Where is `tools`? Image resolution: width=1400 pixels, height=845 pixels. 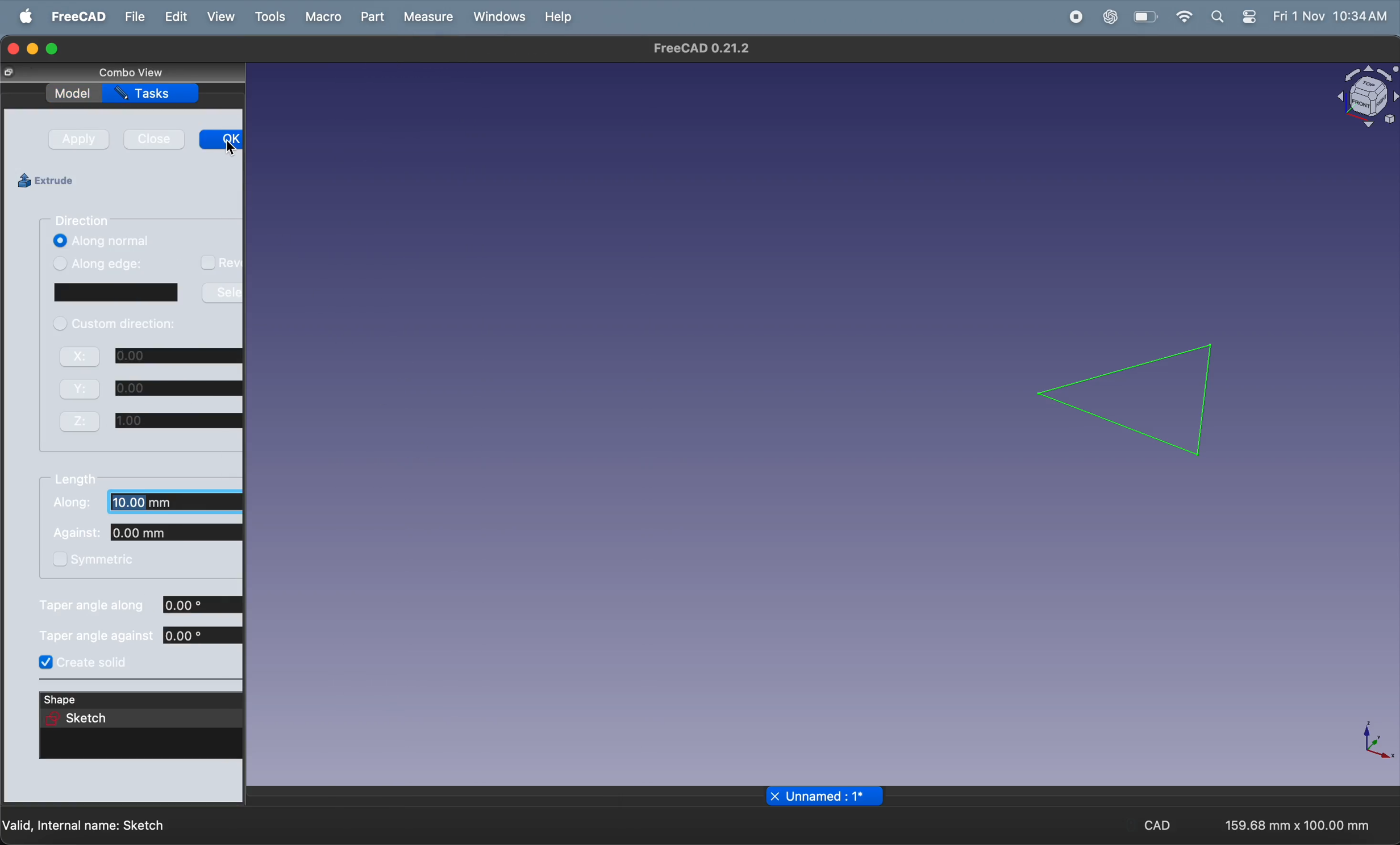
tools is located at coordinates (270, 15).